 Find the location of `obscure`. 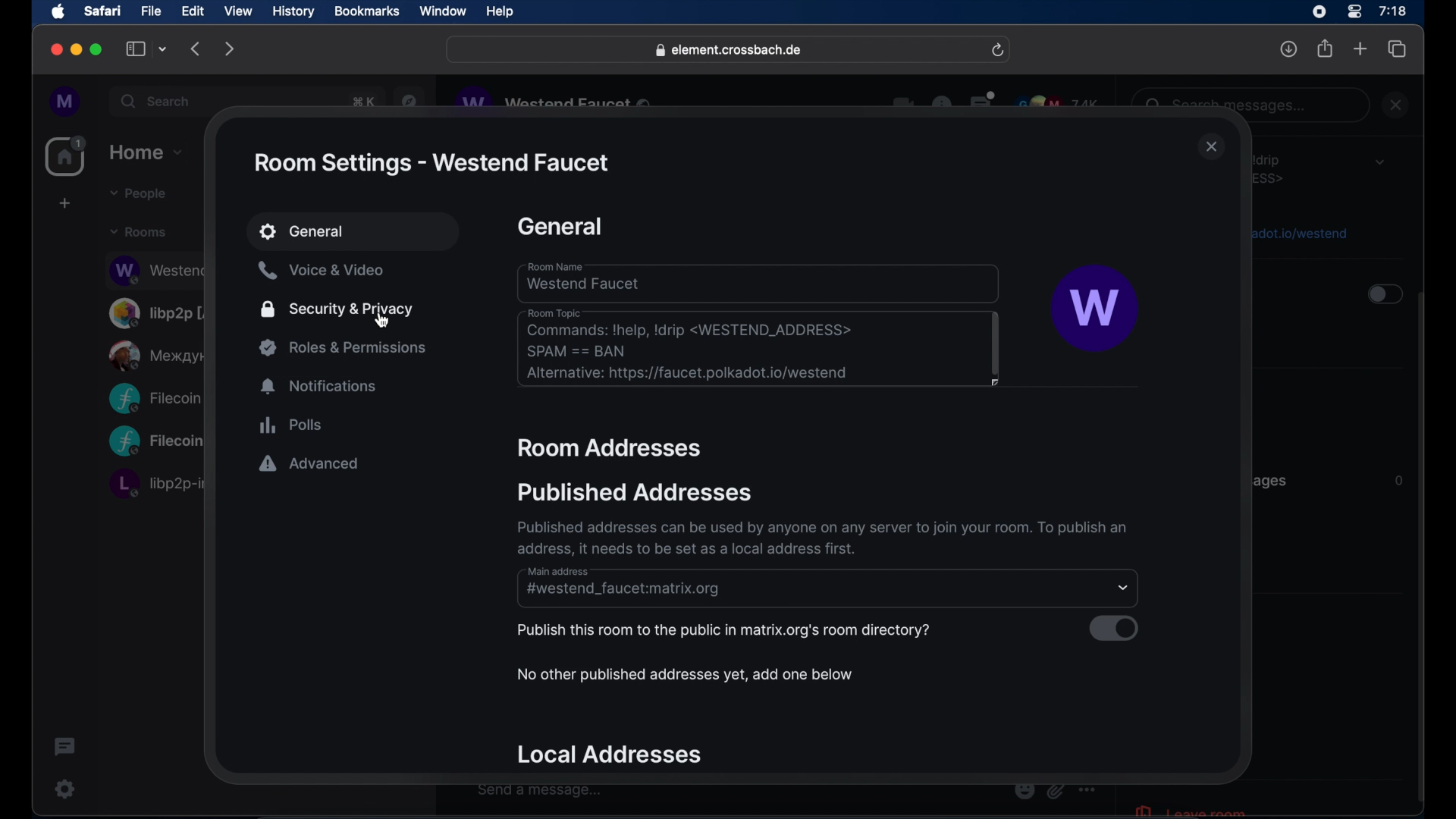

obscure is located at coordinates (1269, 481).